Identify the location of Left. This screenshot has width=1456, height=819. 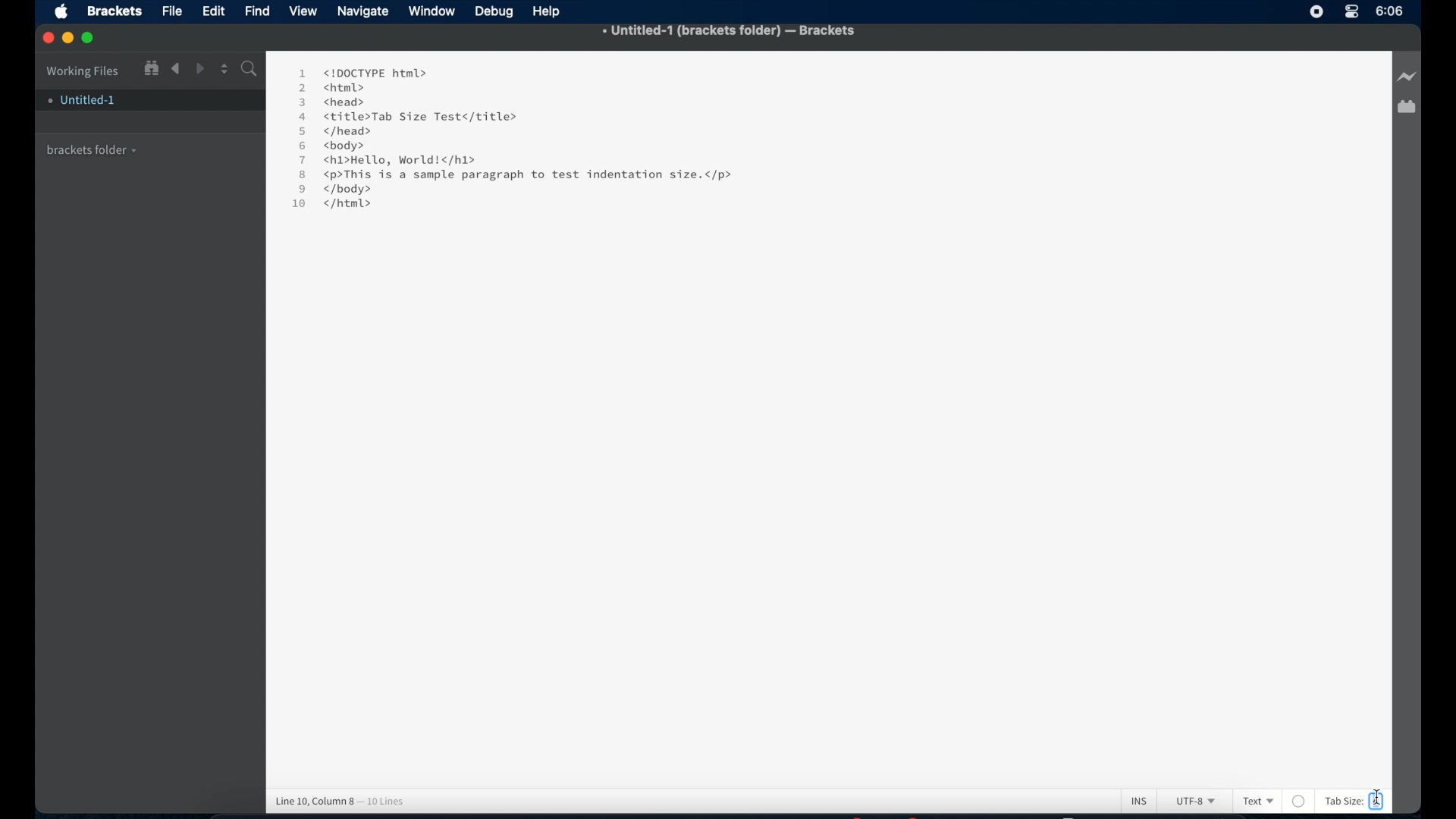
(175, 69).